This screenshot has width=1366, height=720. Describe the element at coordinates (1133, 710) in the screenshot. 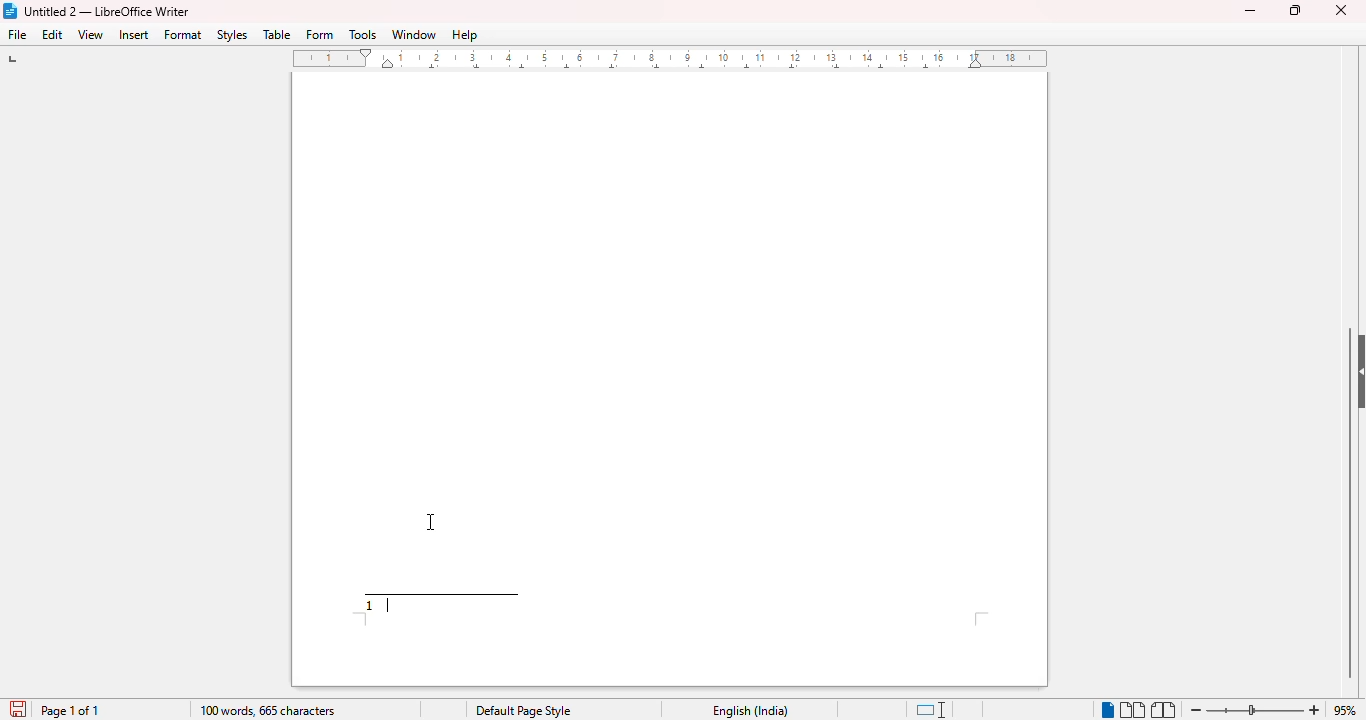

I see `multi-page view` at that location.